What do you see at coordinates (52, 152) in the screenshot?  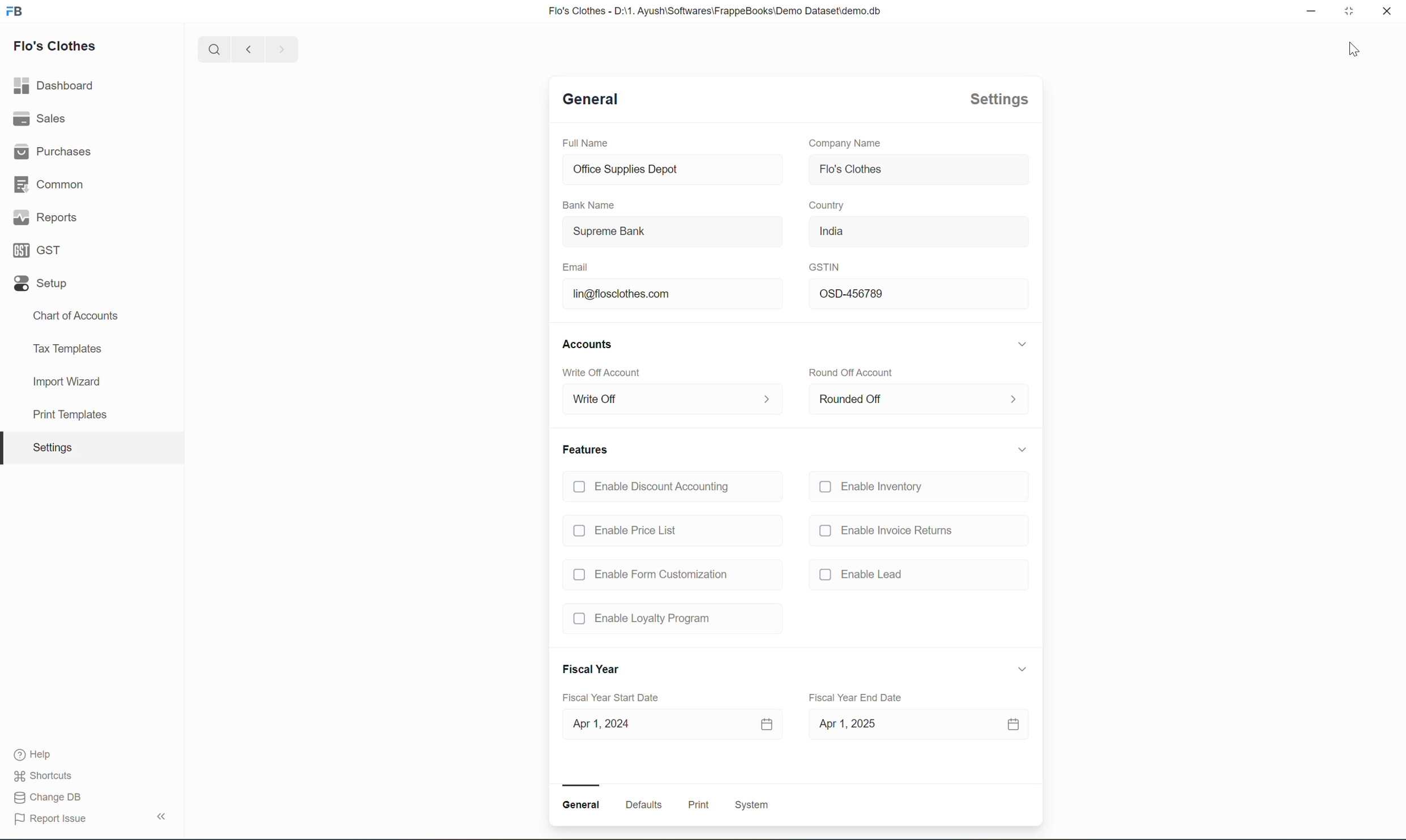 I see `Purchases` at bounding box center [52, 152].